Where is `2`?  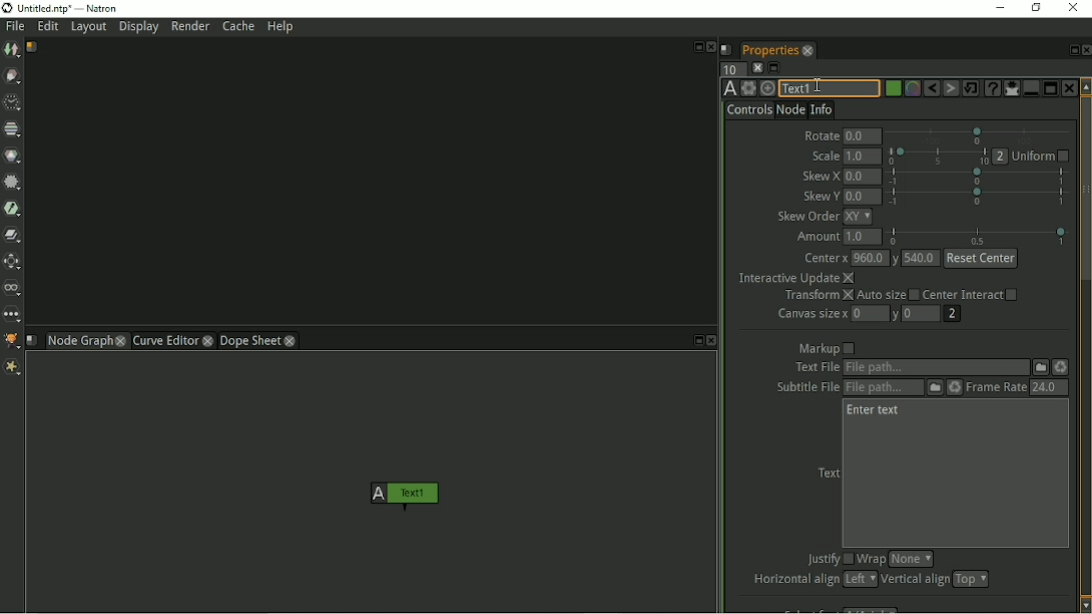
2 is located at coordinates (1001, 156).